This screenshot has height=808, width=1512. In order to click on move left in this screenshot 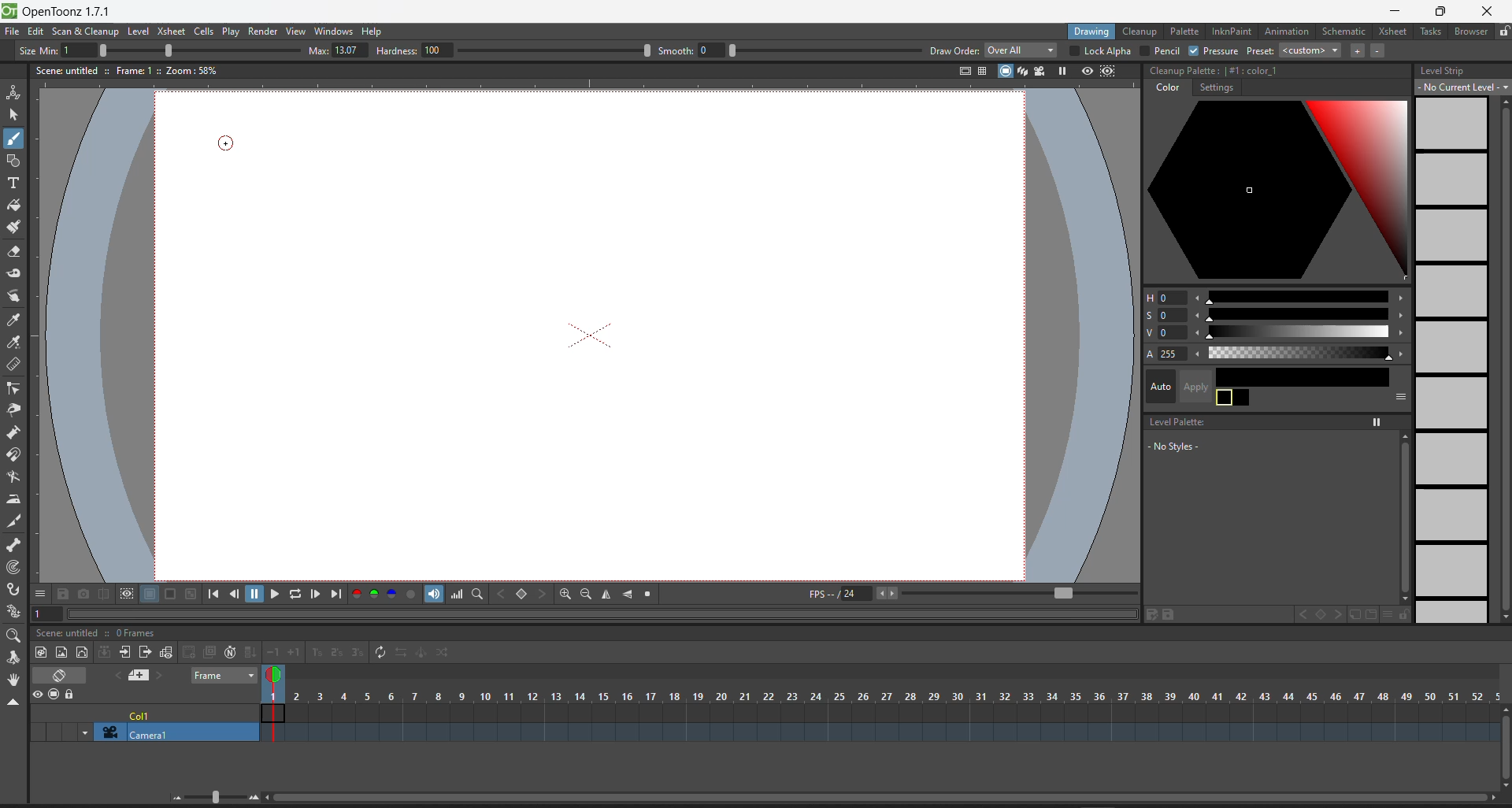, I will do `click(1199, 354)`.